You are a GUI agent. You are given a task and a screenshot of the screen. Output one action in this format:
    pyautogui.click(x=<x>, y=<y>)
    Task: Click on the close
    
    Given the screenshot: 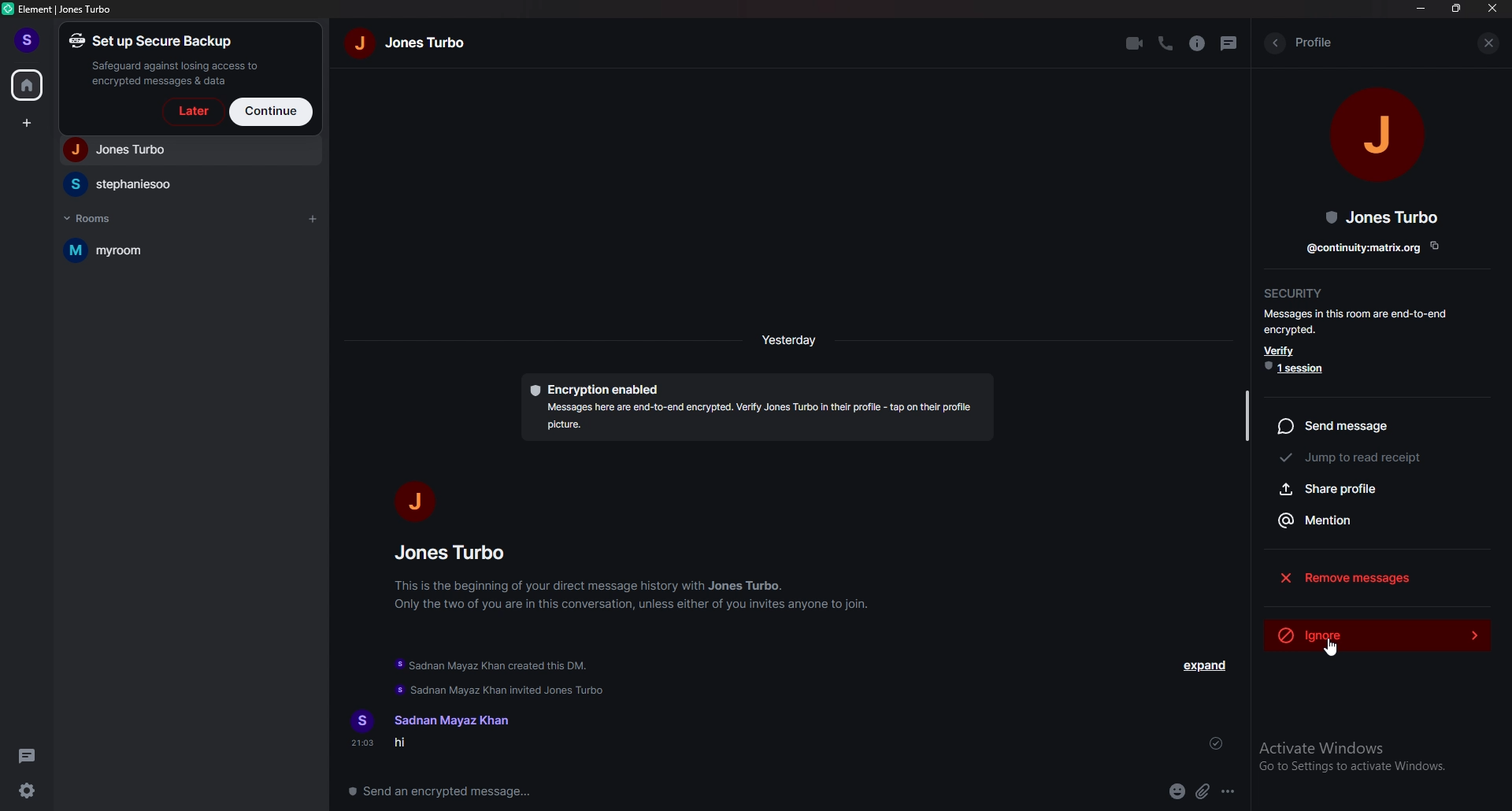 What is the action you would take?
    pyautogui.click(x=1493, y=9)
    